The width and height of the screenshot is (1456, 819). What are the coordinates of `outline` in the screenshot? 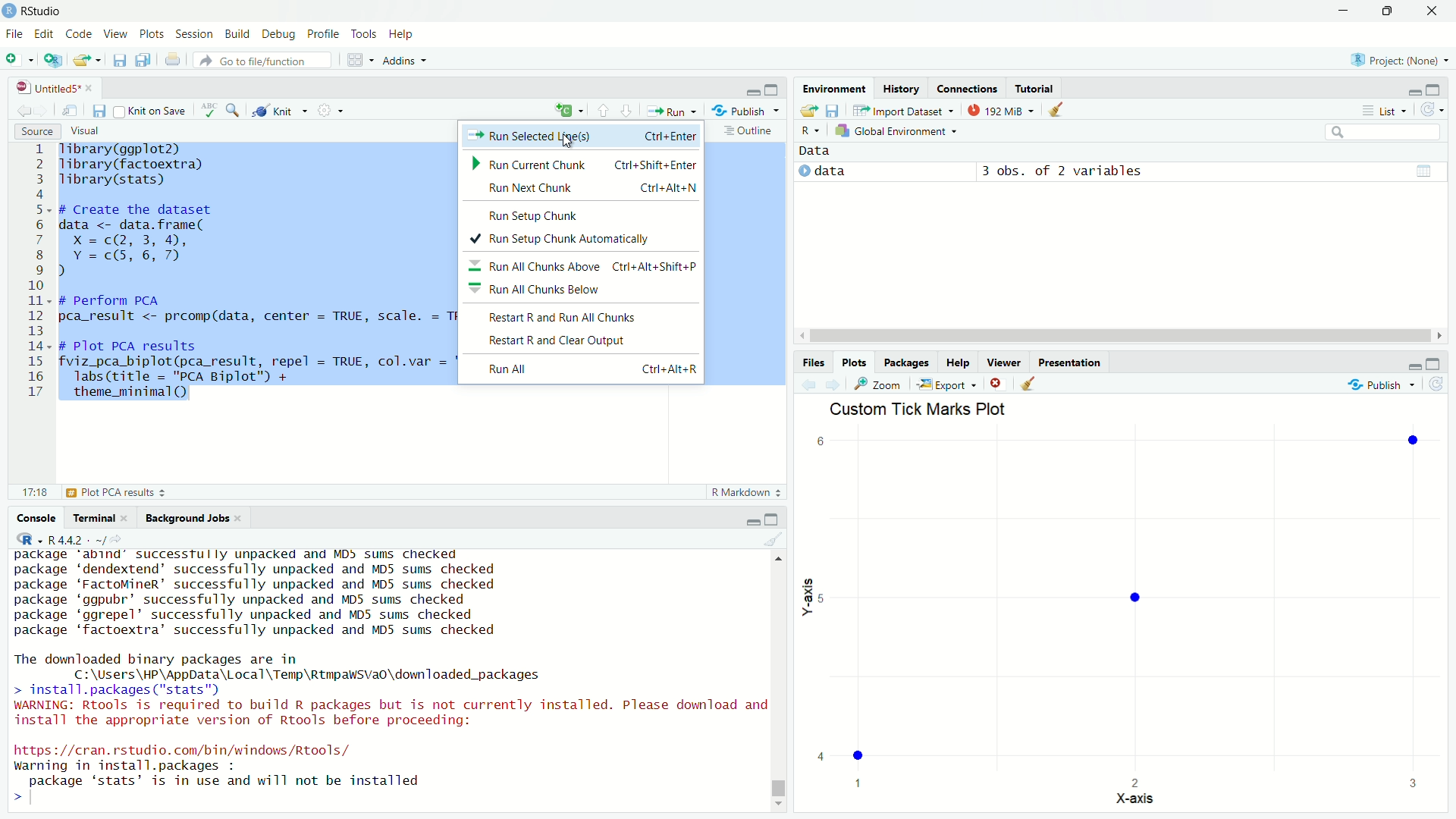 It's located at (748, 132).